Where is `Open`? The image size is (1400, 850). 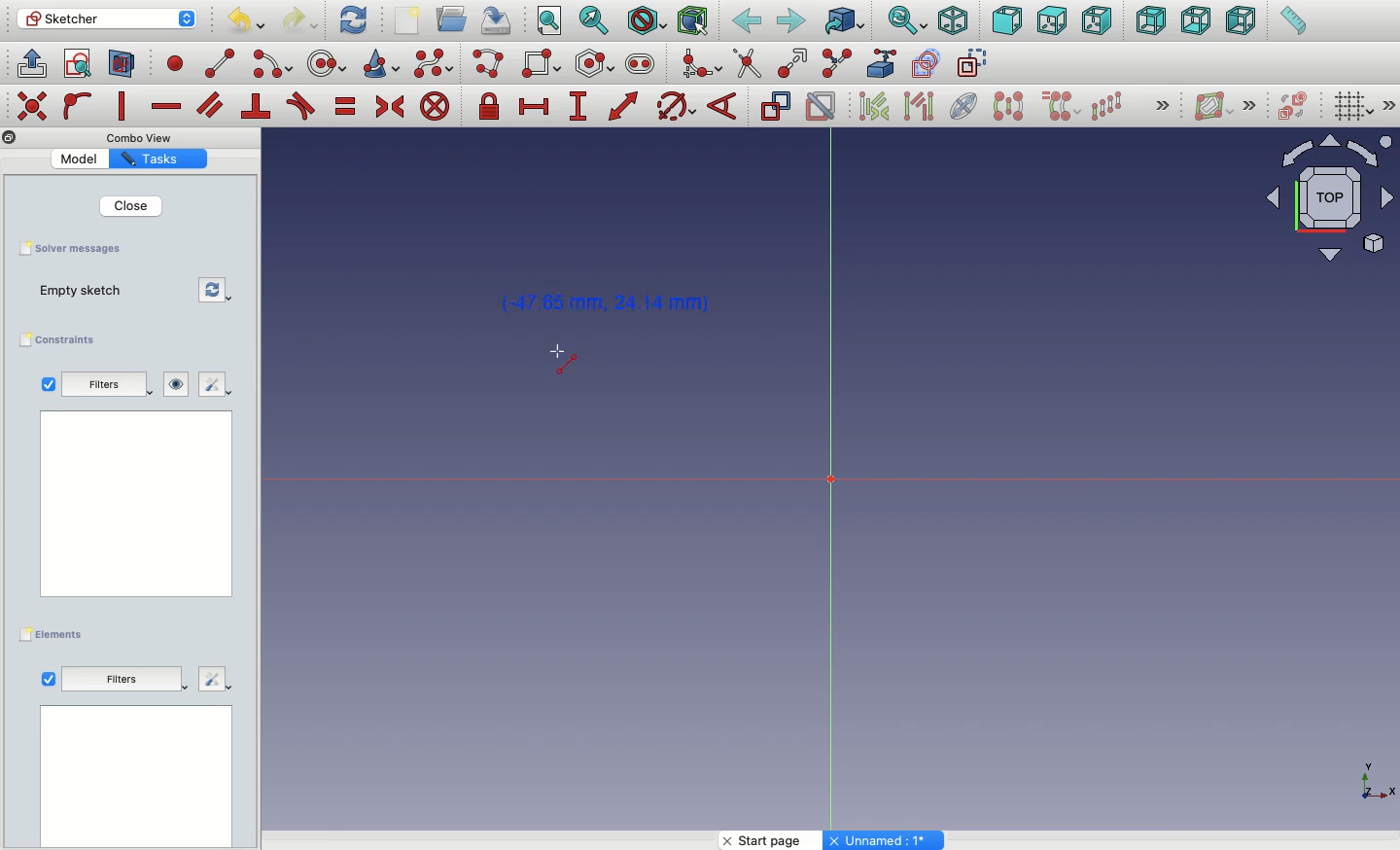
Open is located at coordinates (454, 18).